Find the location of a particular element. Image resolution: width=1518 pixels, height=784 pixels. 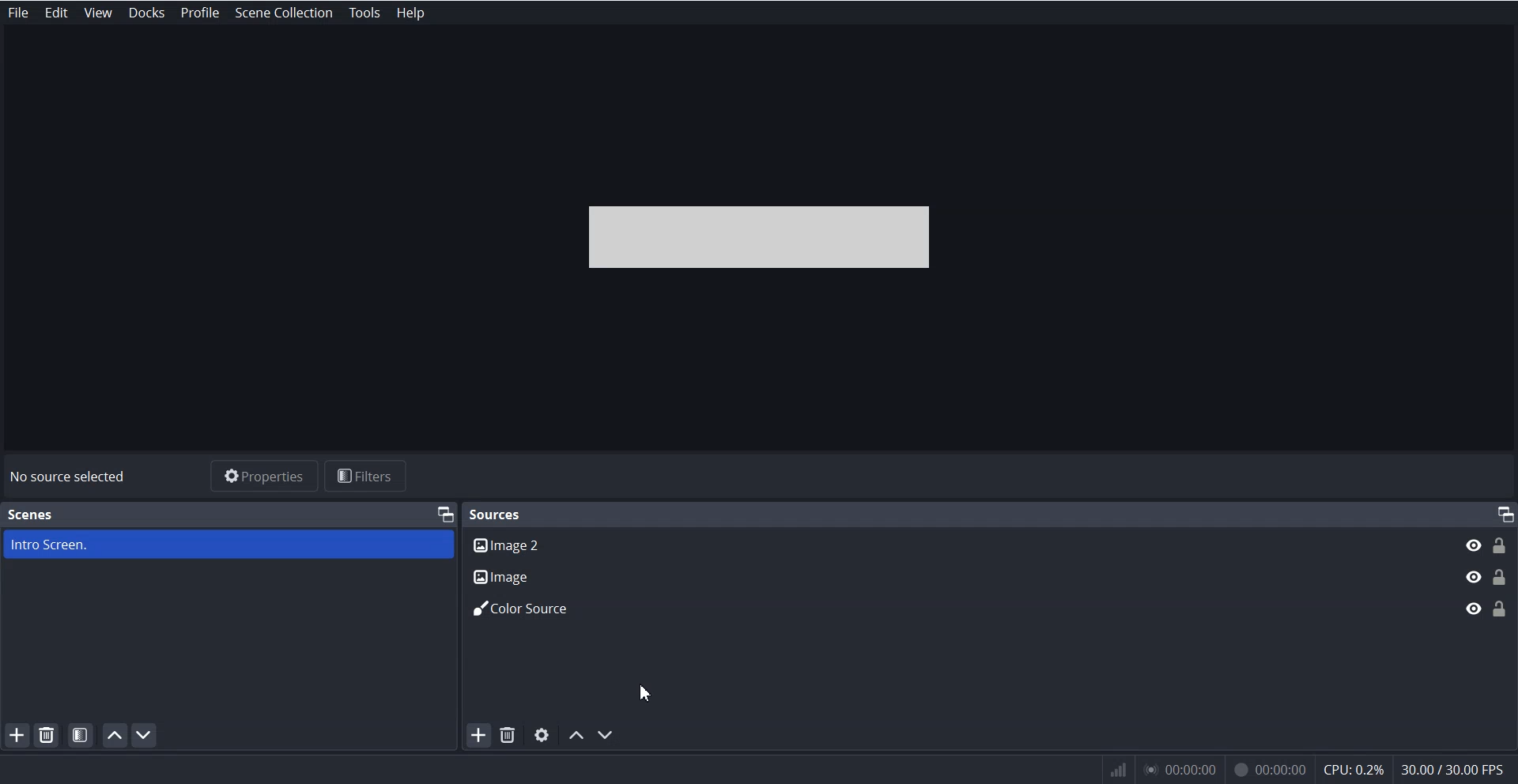

File is located at coordinates (19, 13).